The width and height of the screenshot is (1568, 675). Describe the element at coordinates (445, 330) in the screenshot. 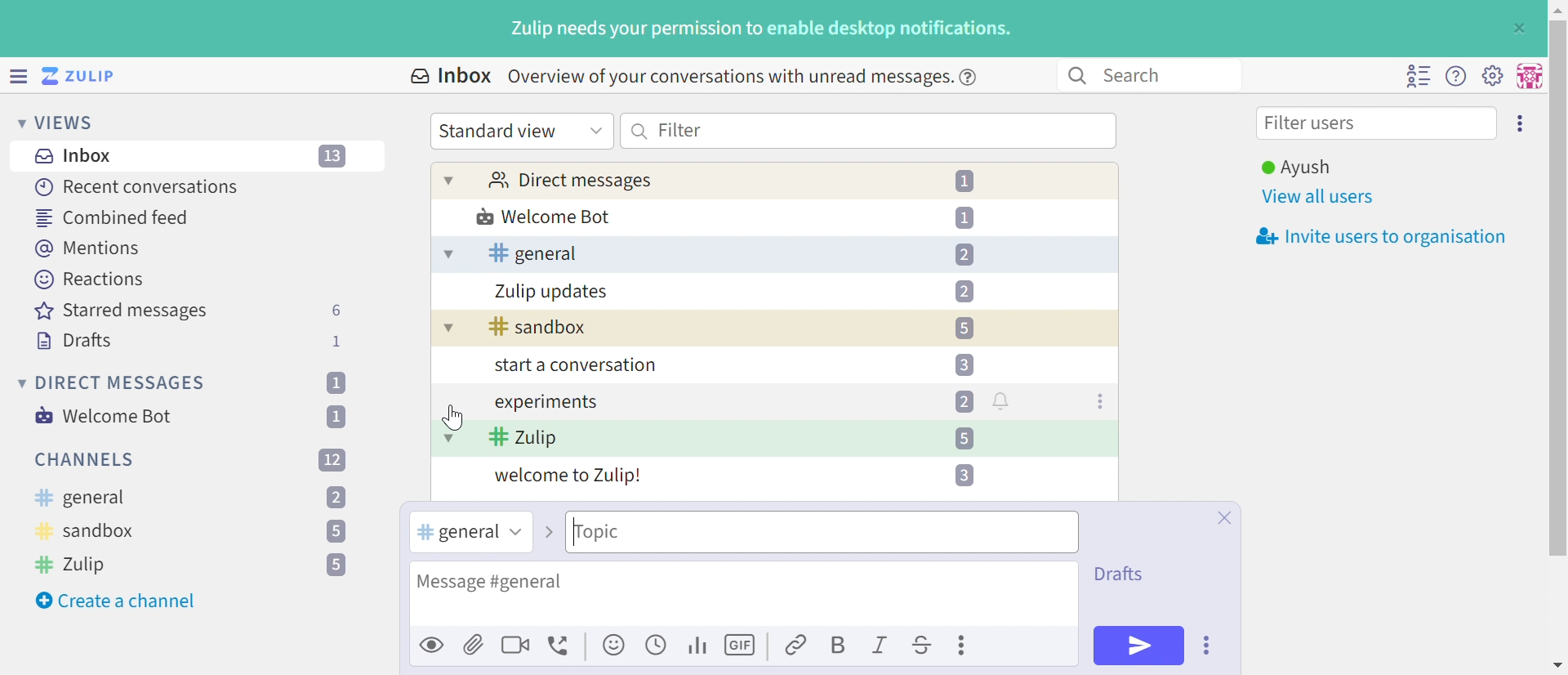

I see `Drop Down` at that location.